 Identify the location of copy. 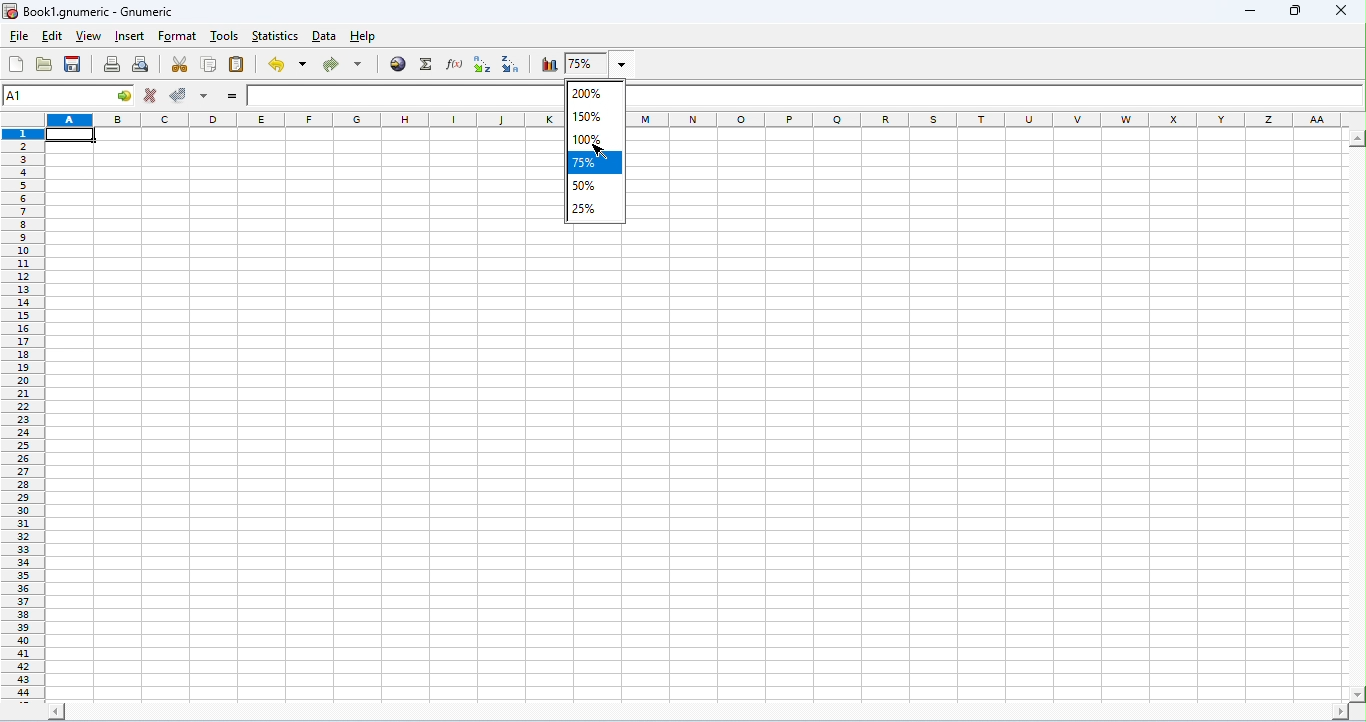
(210, 65).